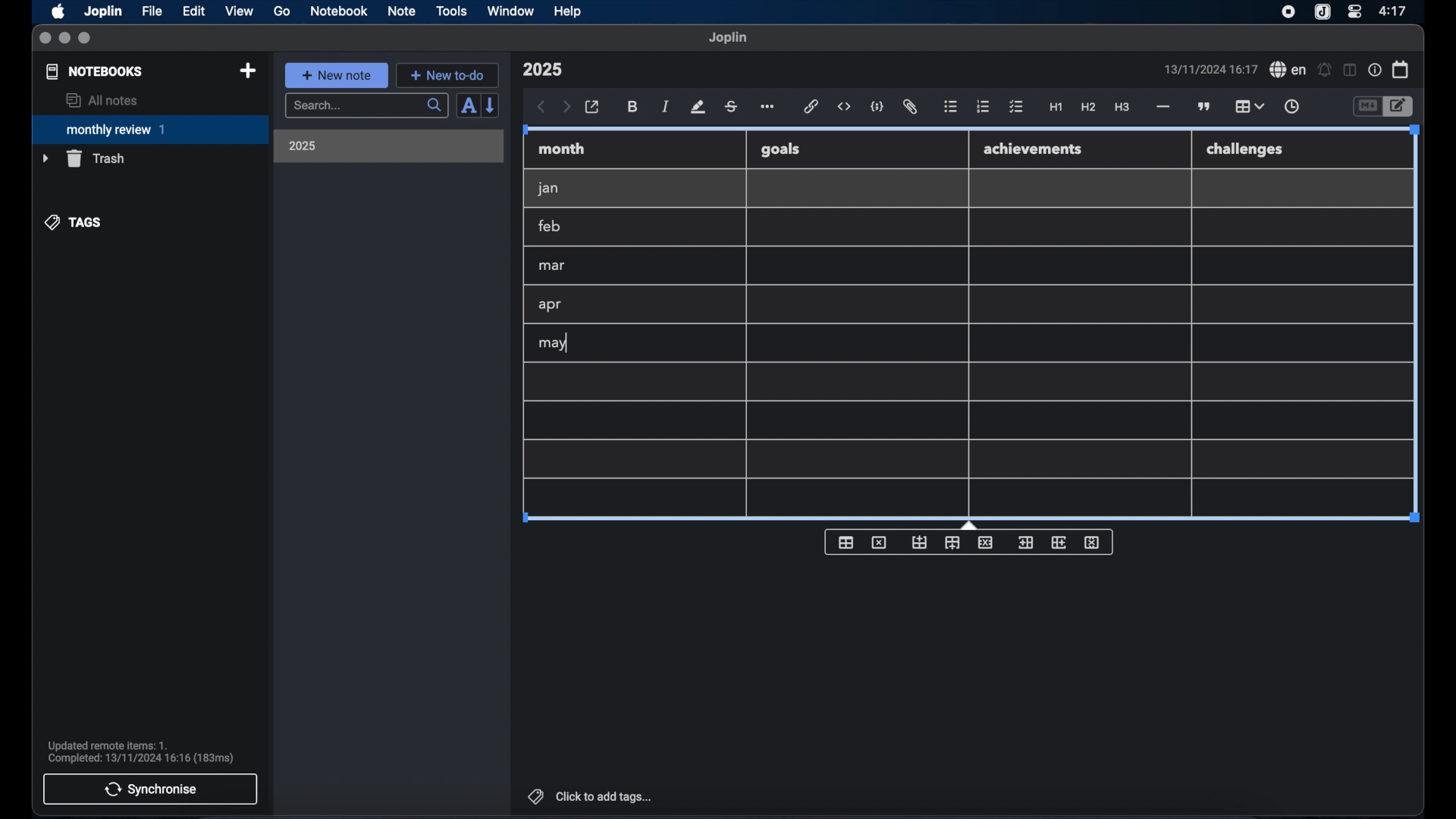 The image size is (1456, 819). Describe the element at coordinates (846, 542) in the screenshot. I see `insert table` at that location.